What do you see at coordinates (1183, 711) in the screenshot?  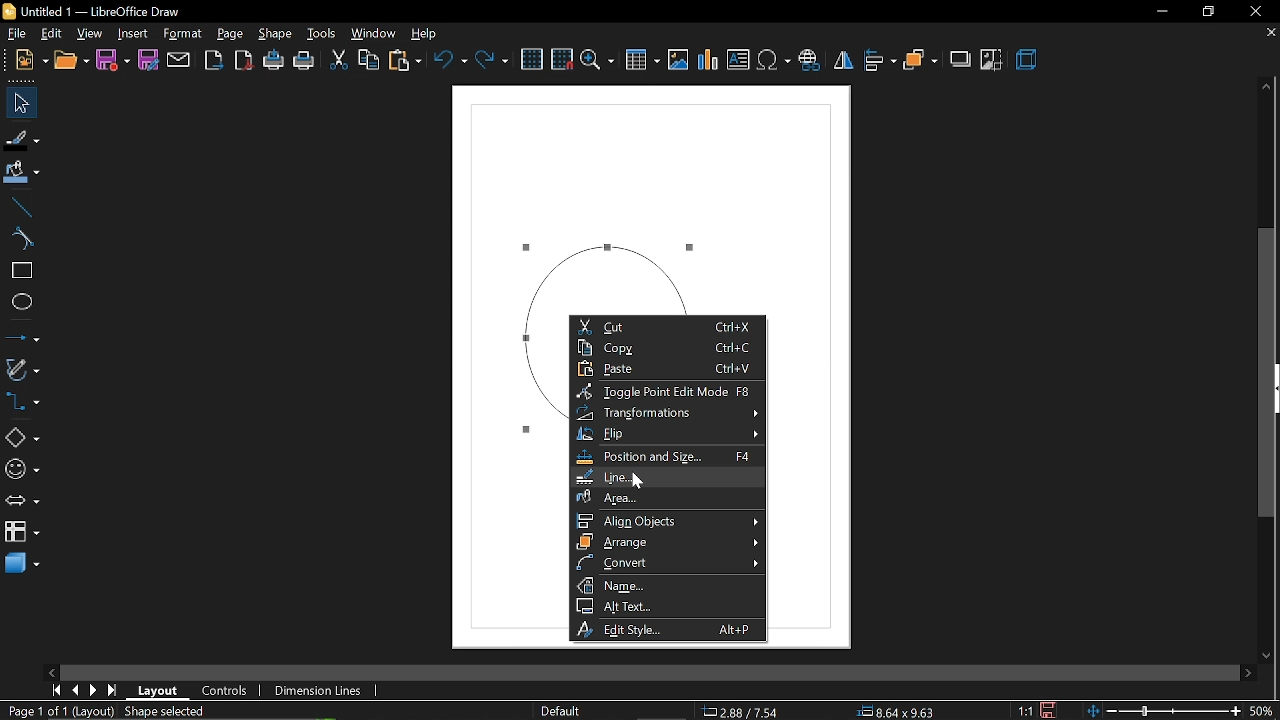 I see `zoom change` at bounding box center [1183, 711].